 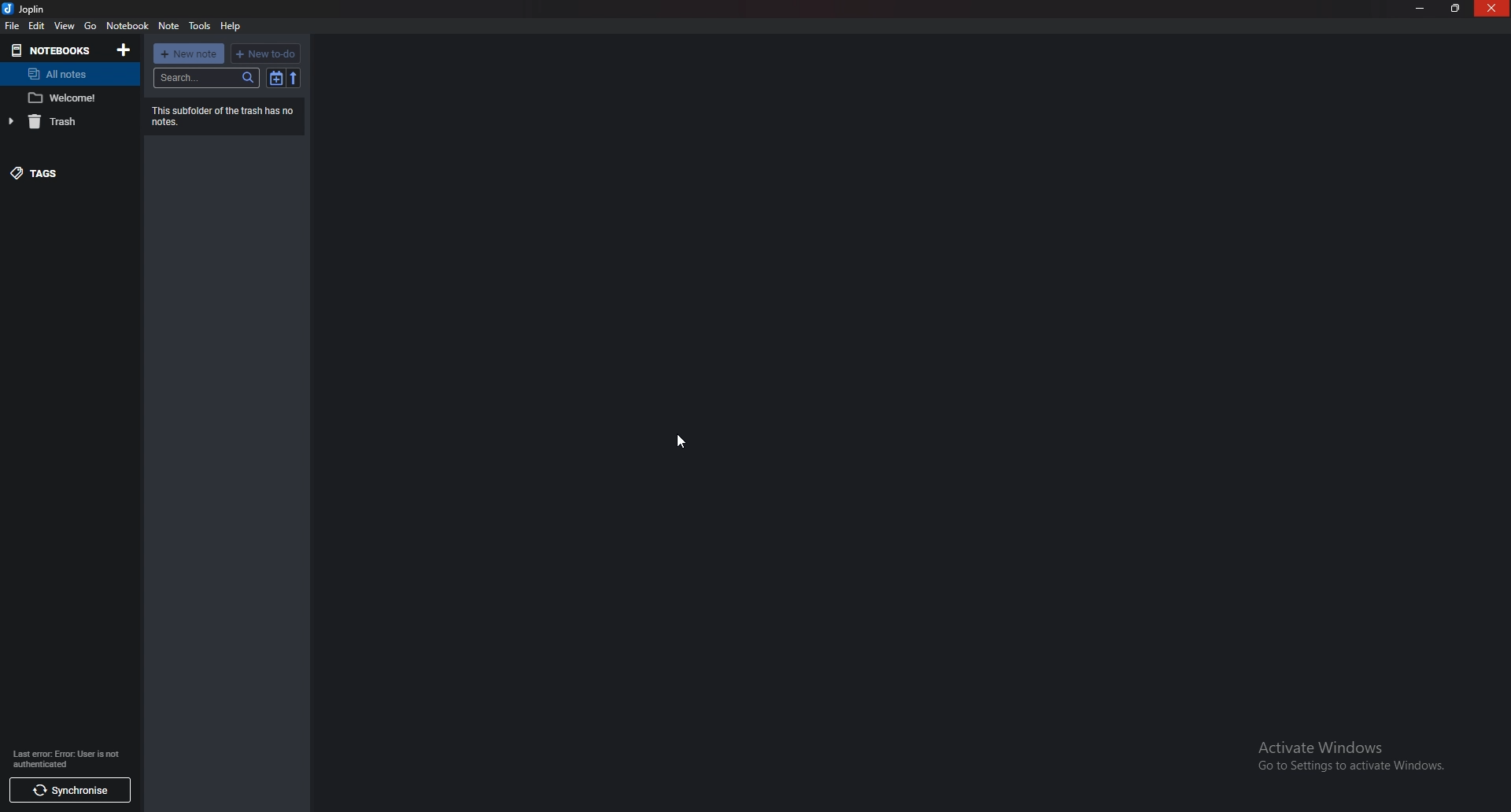 What do you see at coordinates (275, 78) in the screenshot?
I see `Toggle sort` at bounding box center [275, 78].